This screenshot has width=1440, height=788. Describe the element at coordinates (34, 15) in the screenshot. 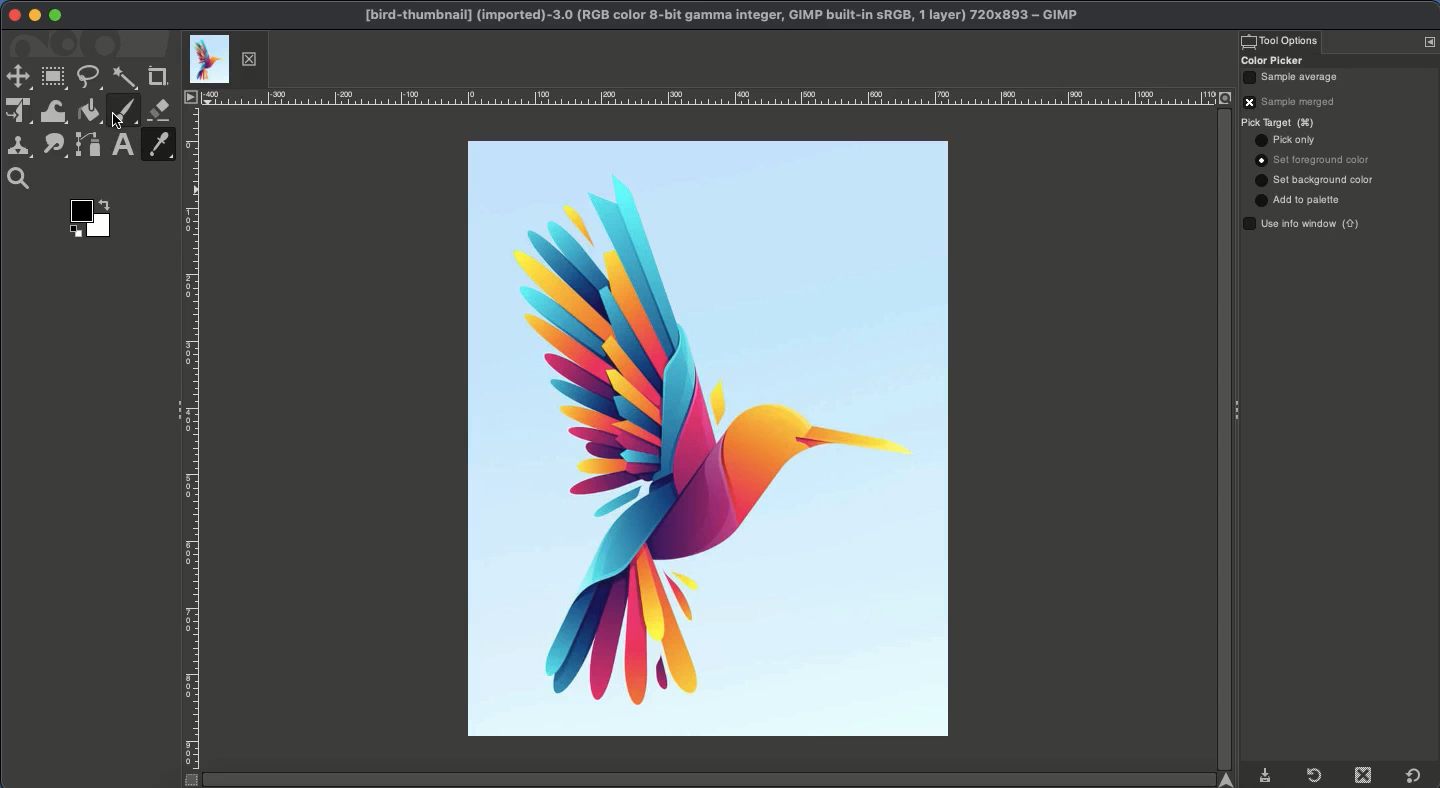

I see `Minimize` at that location.